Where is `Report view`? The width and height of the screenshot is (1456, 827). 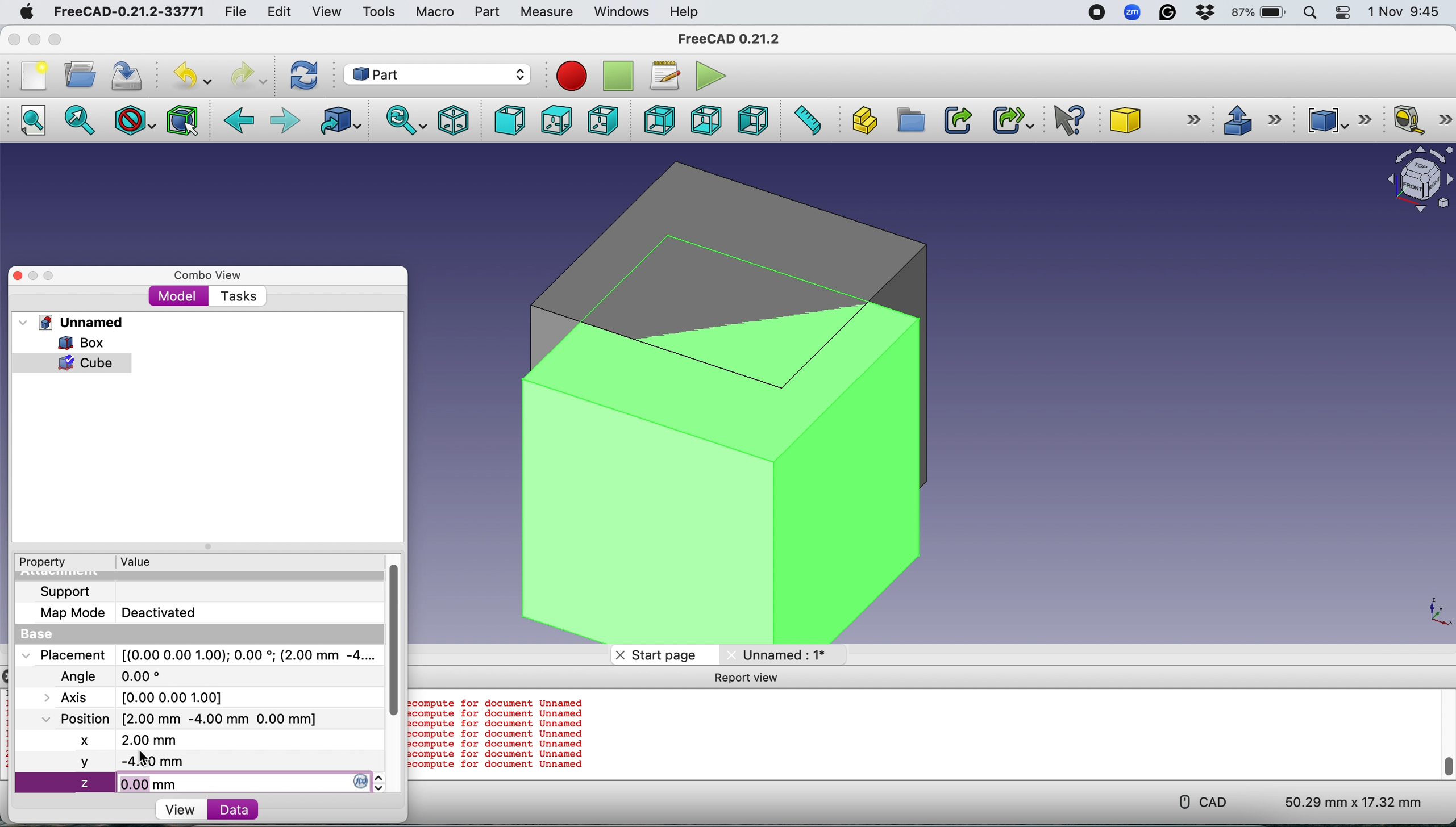 Report view is located at coordinates (748, 678).